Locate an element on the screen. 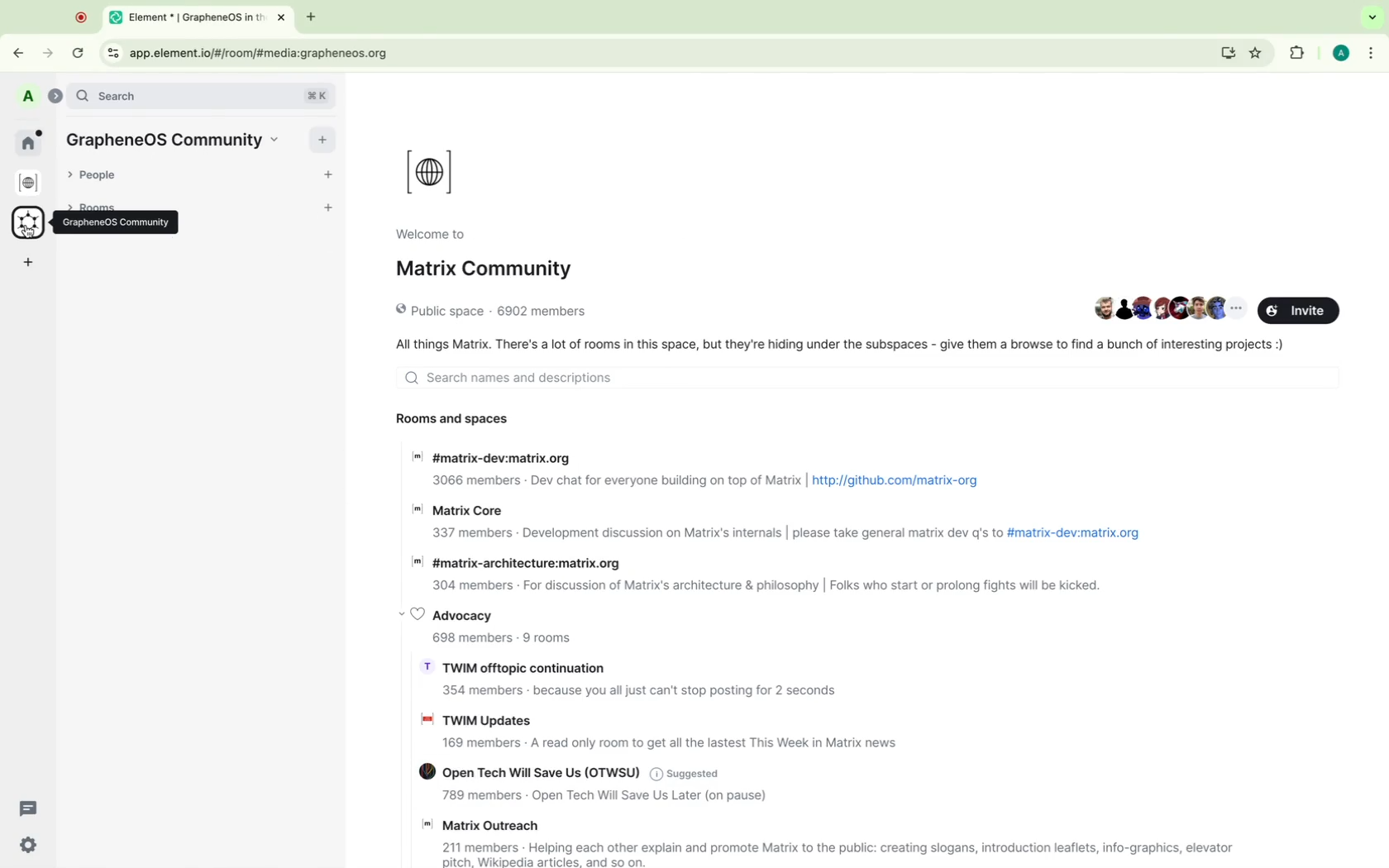  search bar is located at coordinates (204, 94).